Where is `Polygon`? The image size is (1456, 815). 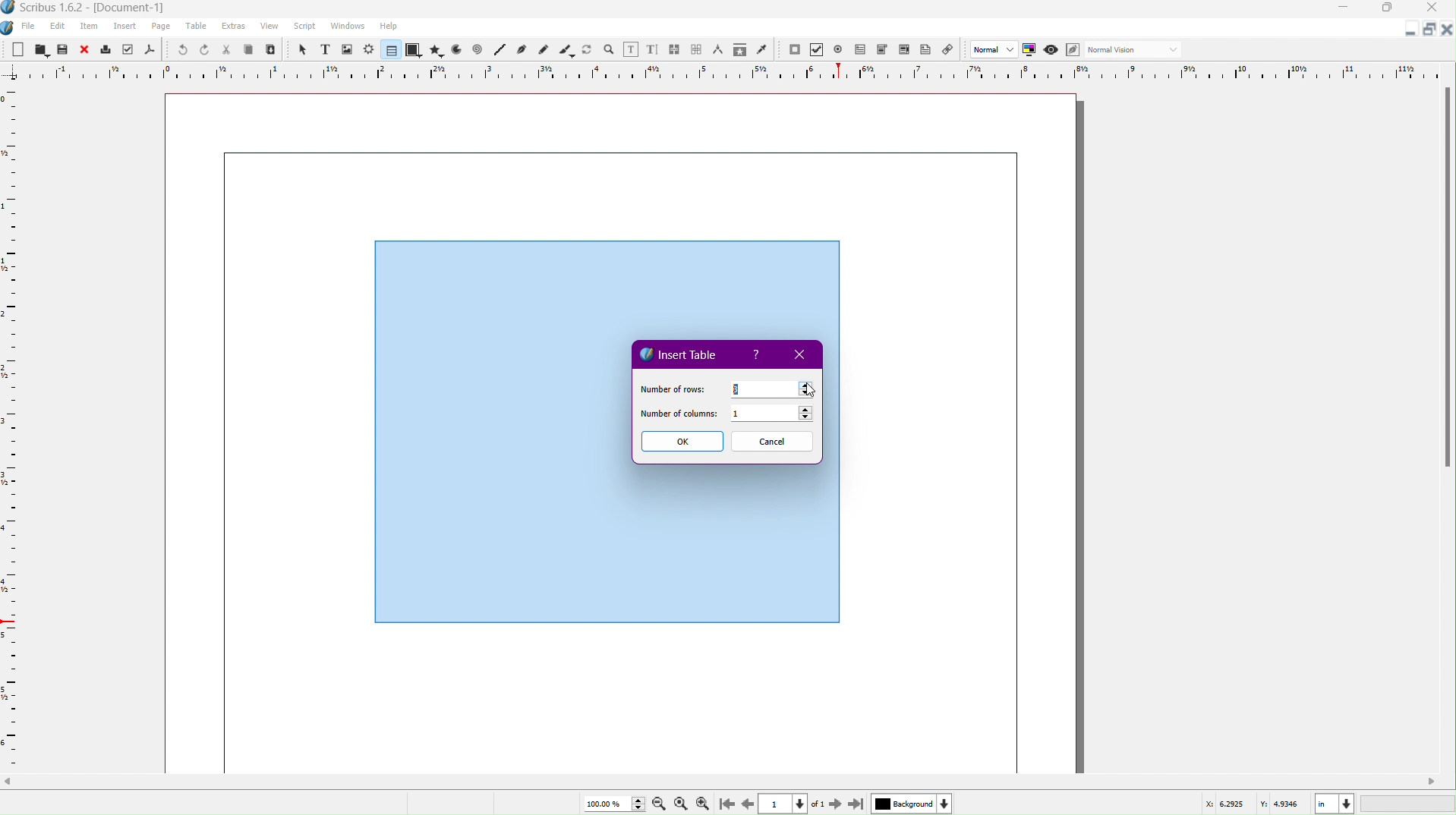
Polygon is located at coordinates (437, 50).